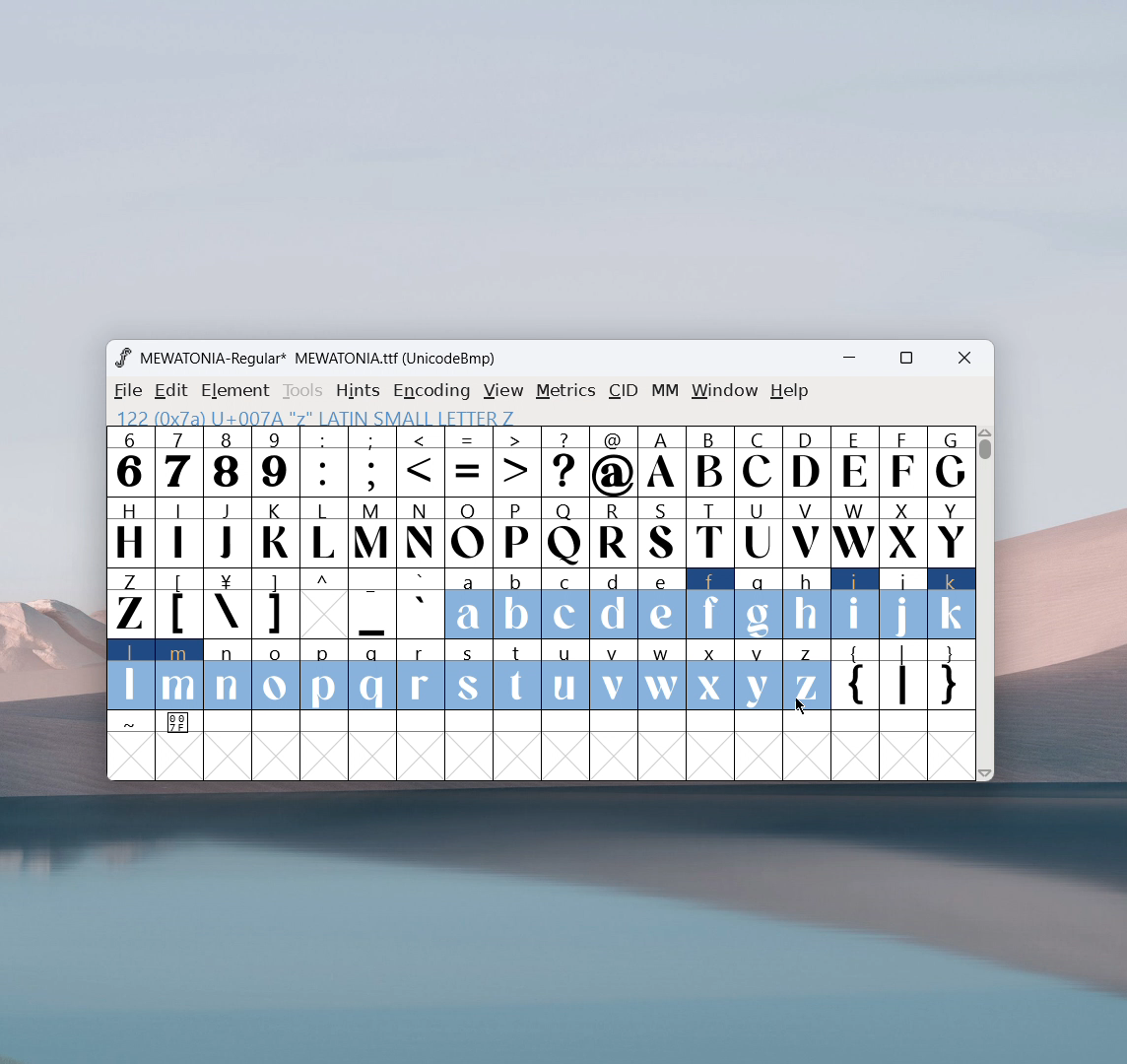  I want to click on U, so click(759, 531).